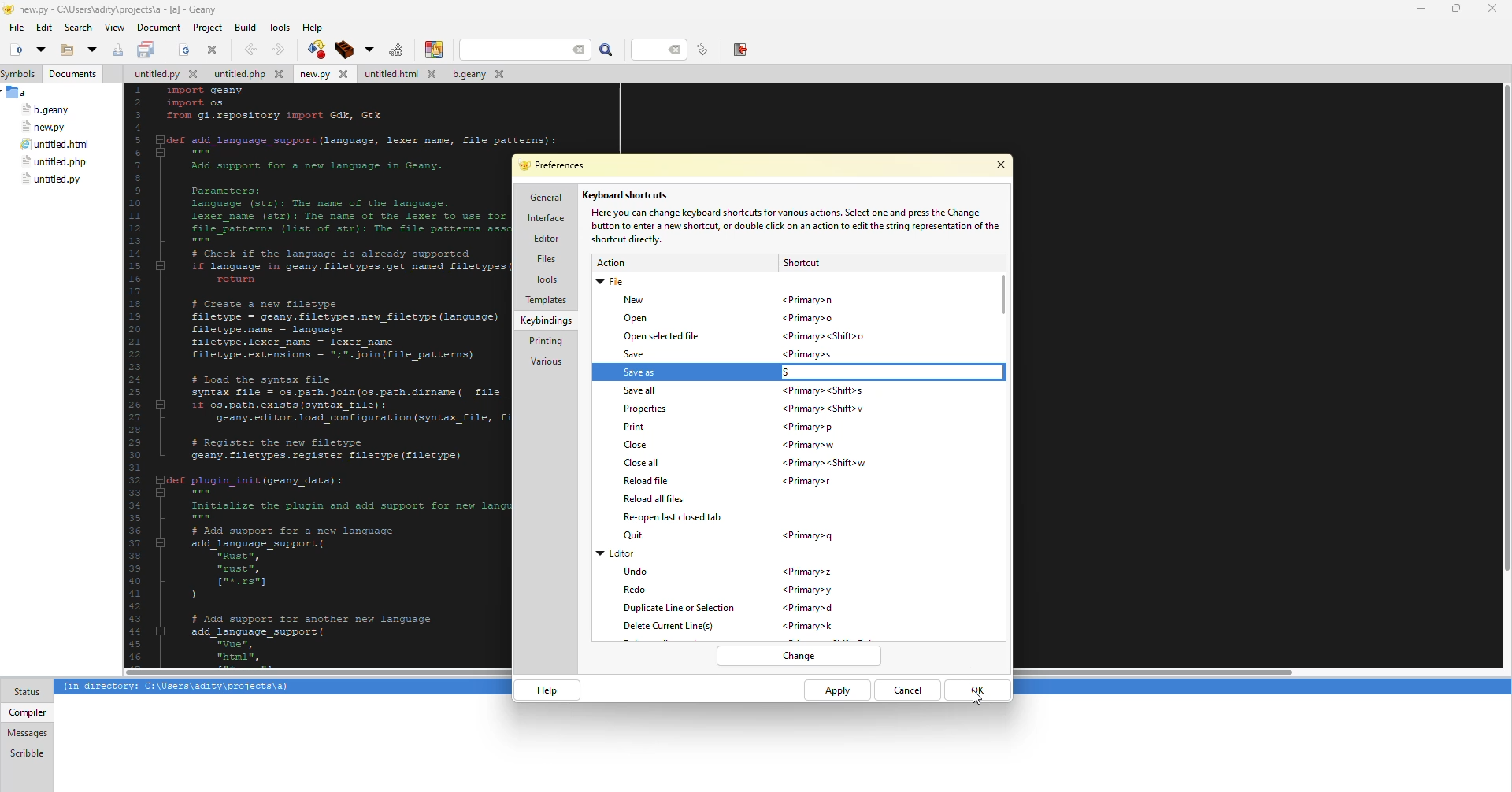 Image resolution: width=1512 pixels, height=792 pixels. What do you see at coordinates (835, 691) in the screenshot?
I see `apply` at bounding box center [835, 691].